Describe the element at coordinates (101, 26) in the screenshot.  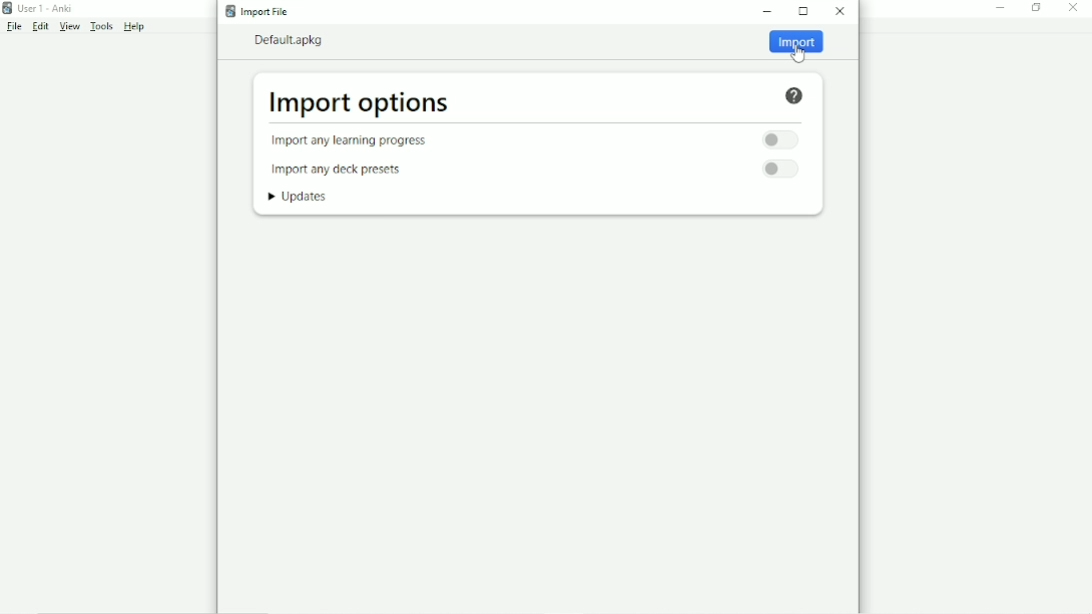
I see `Tools` at that location.